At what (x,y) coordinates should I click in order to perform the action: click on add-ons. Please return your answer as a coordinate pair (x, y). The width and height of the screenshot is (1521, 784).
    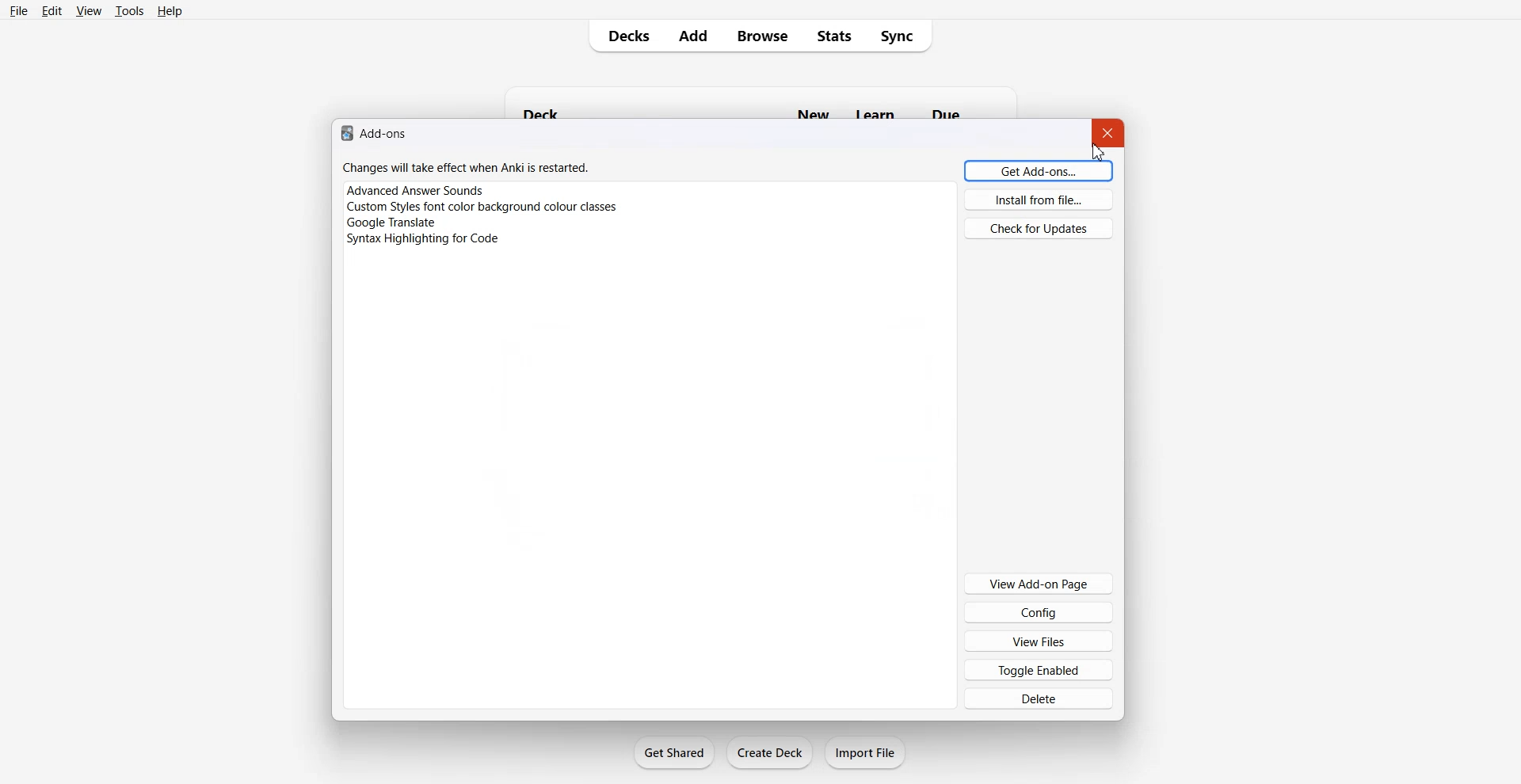
    Looking at the image, I should click on (388, 135).